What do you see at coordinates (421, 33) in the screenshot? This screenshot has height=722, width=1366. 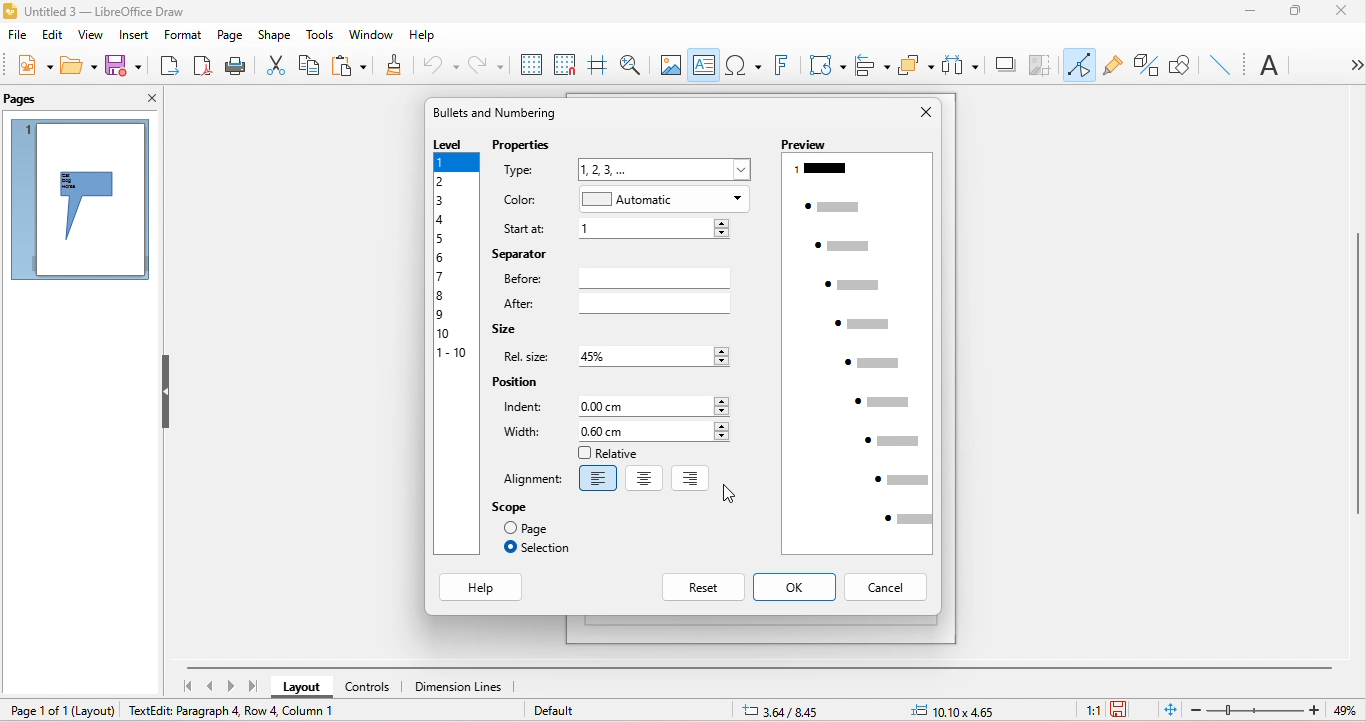 I see `help` at bounding box center [421, 33].